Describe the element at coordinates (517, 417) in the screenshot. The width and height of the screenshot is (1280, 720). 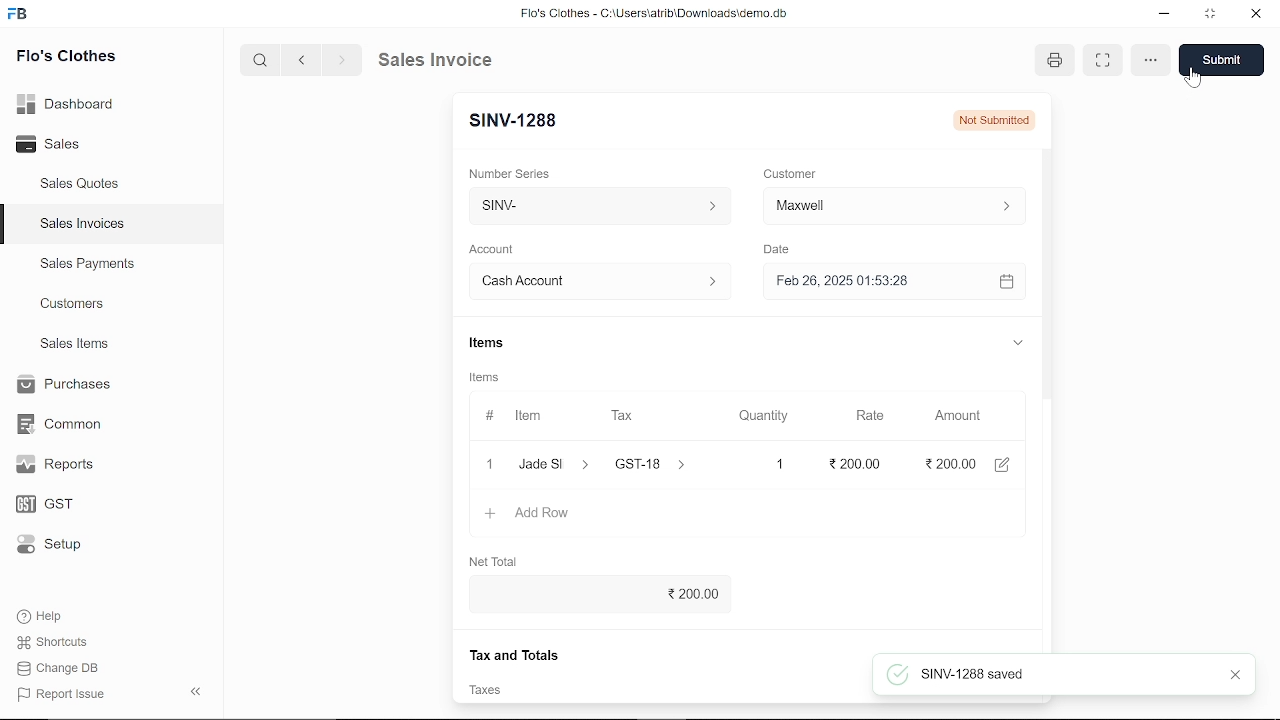
I see `Item` at that location.